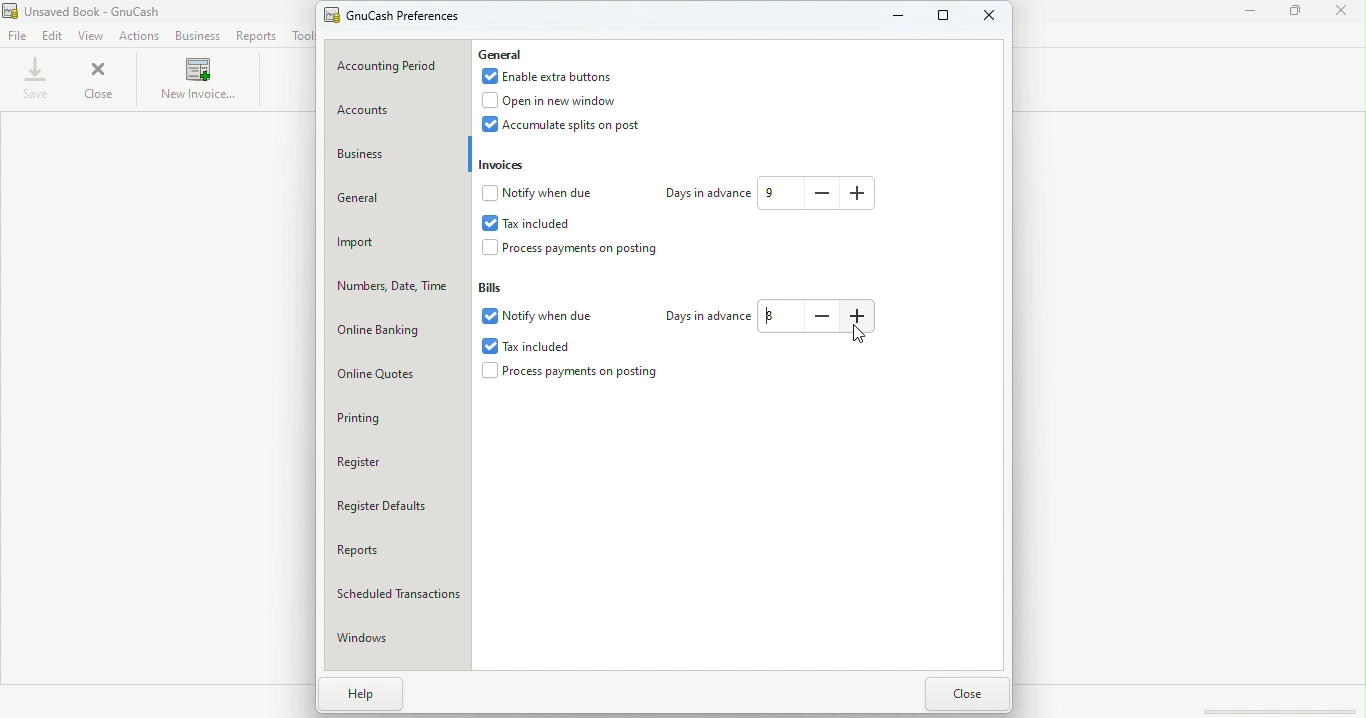  I want to click on Open in new window, so click(566, 101).